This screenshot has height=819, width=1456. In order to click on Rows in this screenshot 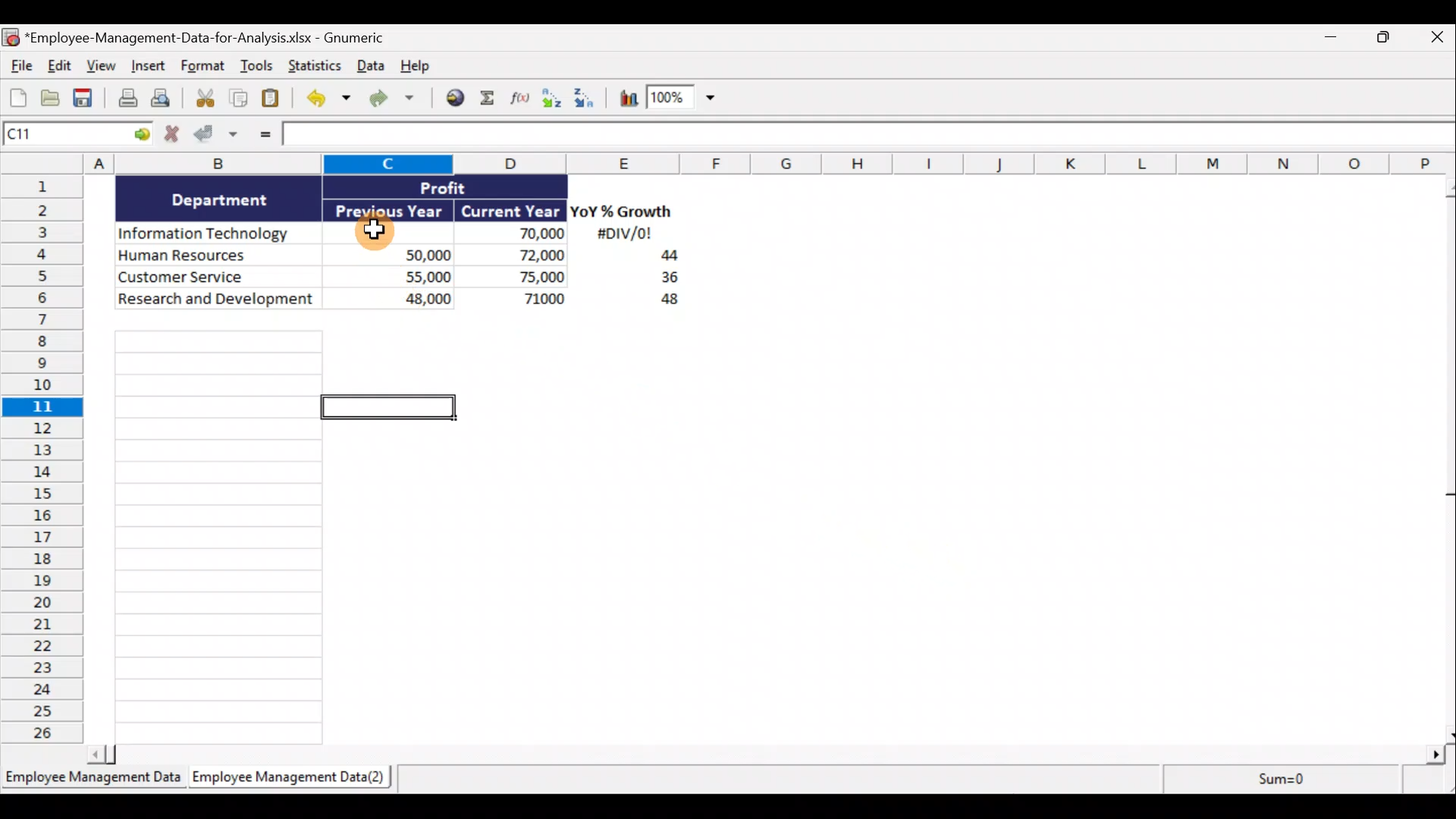, I will do `click(47, 462)`.